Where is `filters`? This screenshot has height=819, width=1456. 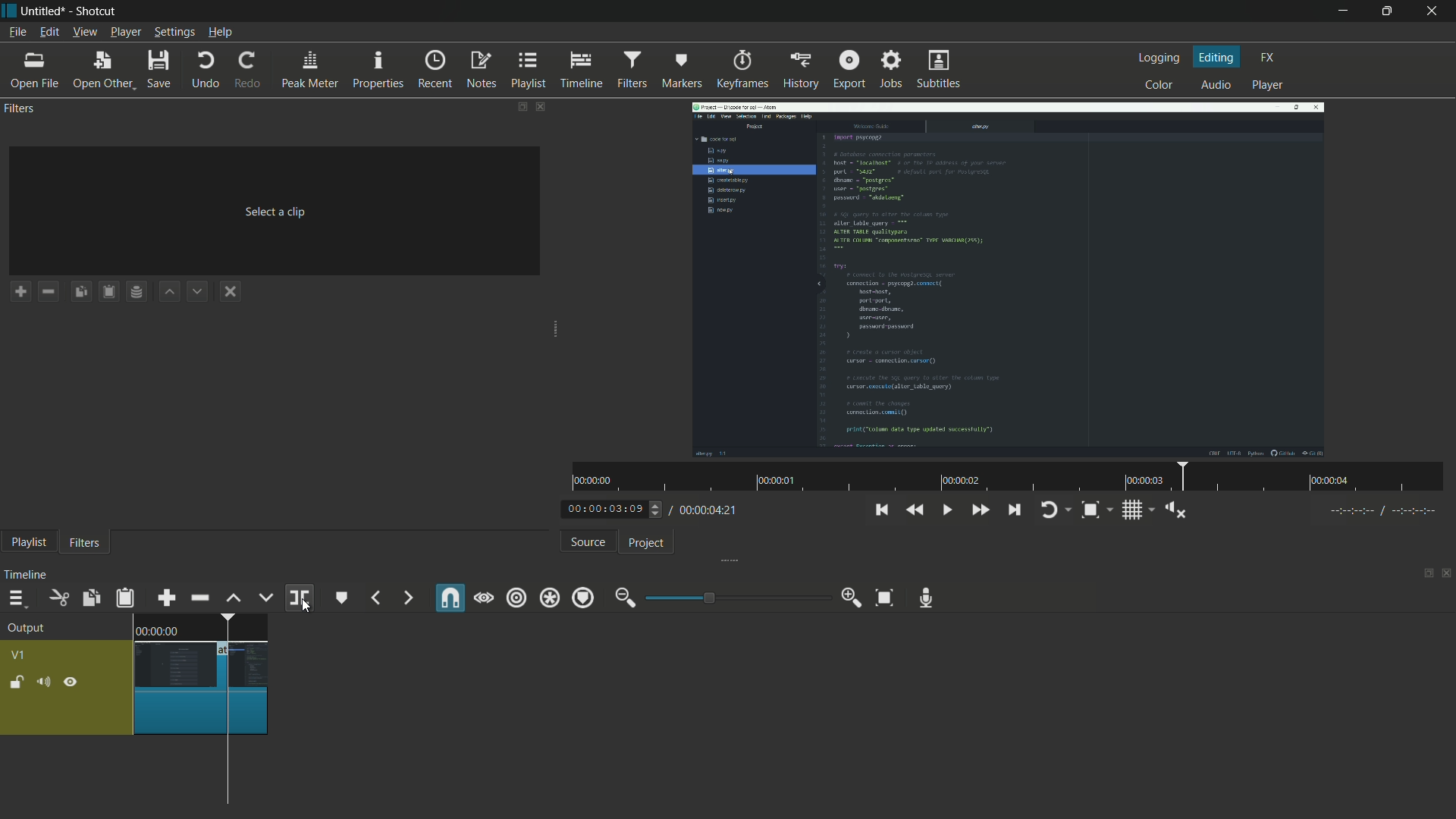 filters is located at coordinates (631, 71).